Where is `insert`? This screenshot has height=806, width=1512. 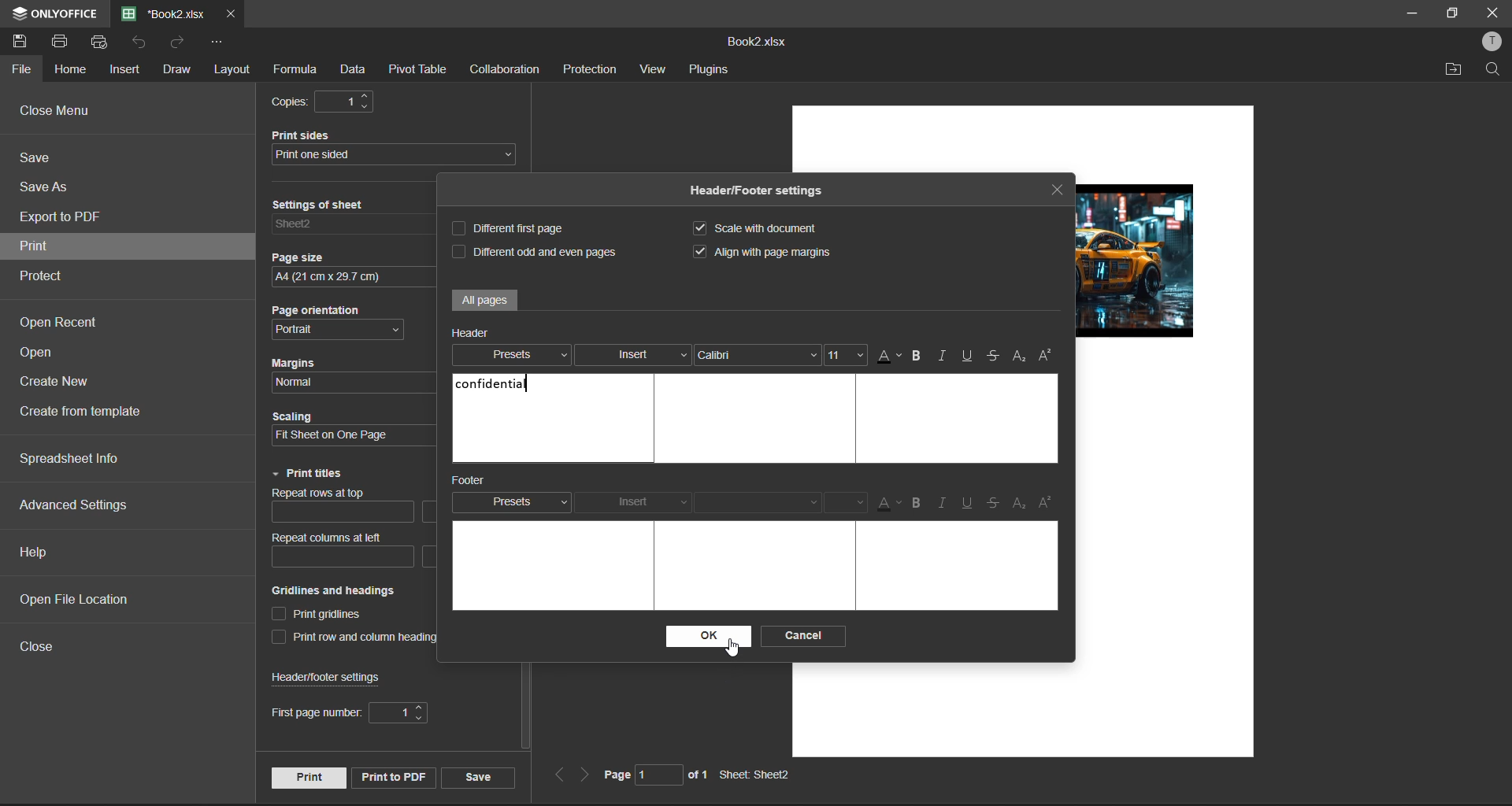 insert is located at coordinates (127, 70).